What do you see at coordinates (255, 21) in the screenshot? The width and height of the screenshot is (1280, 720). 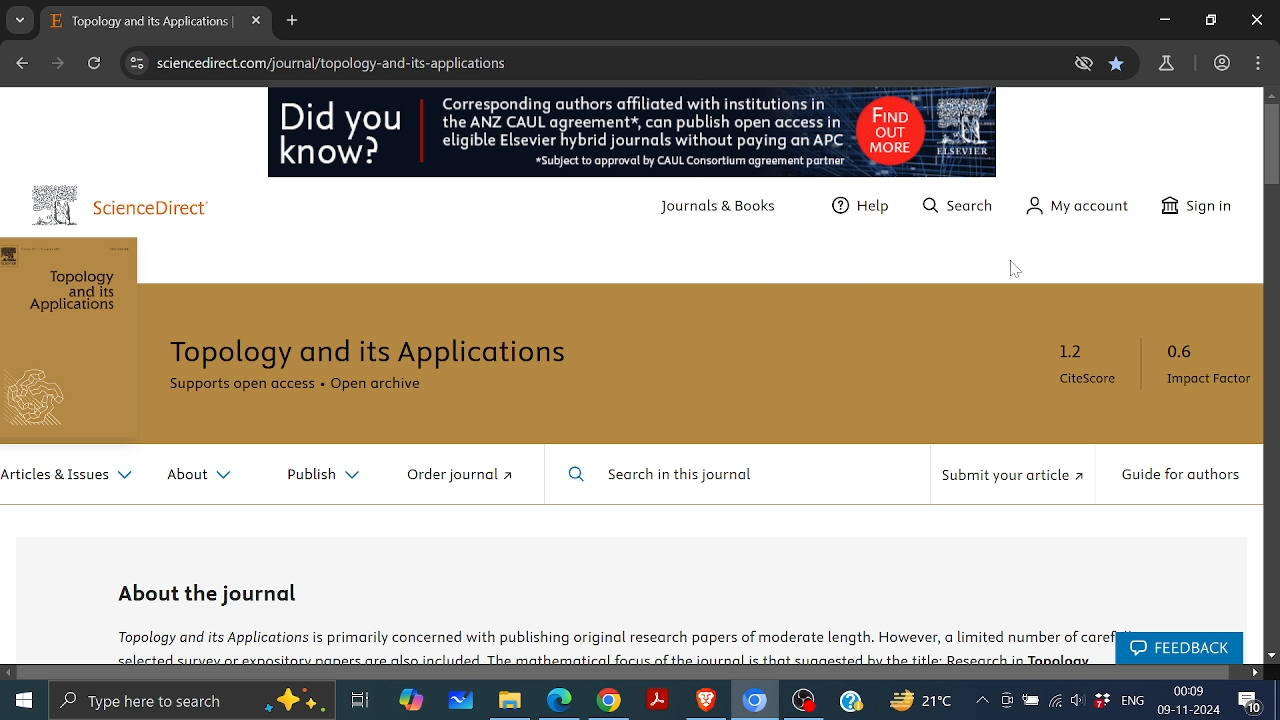 I see `Close current tab` at bounding box center [255, 21].